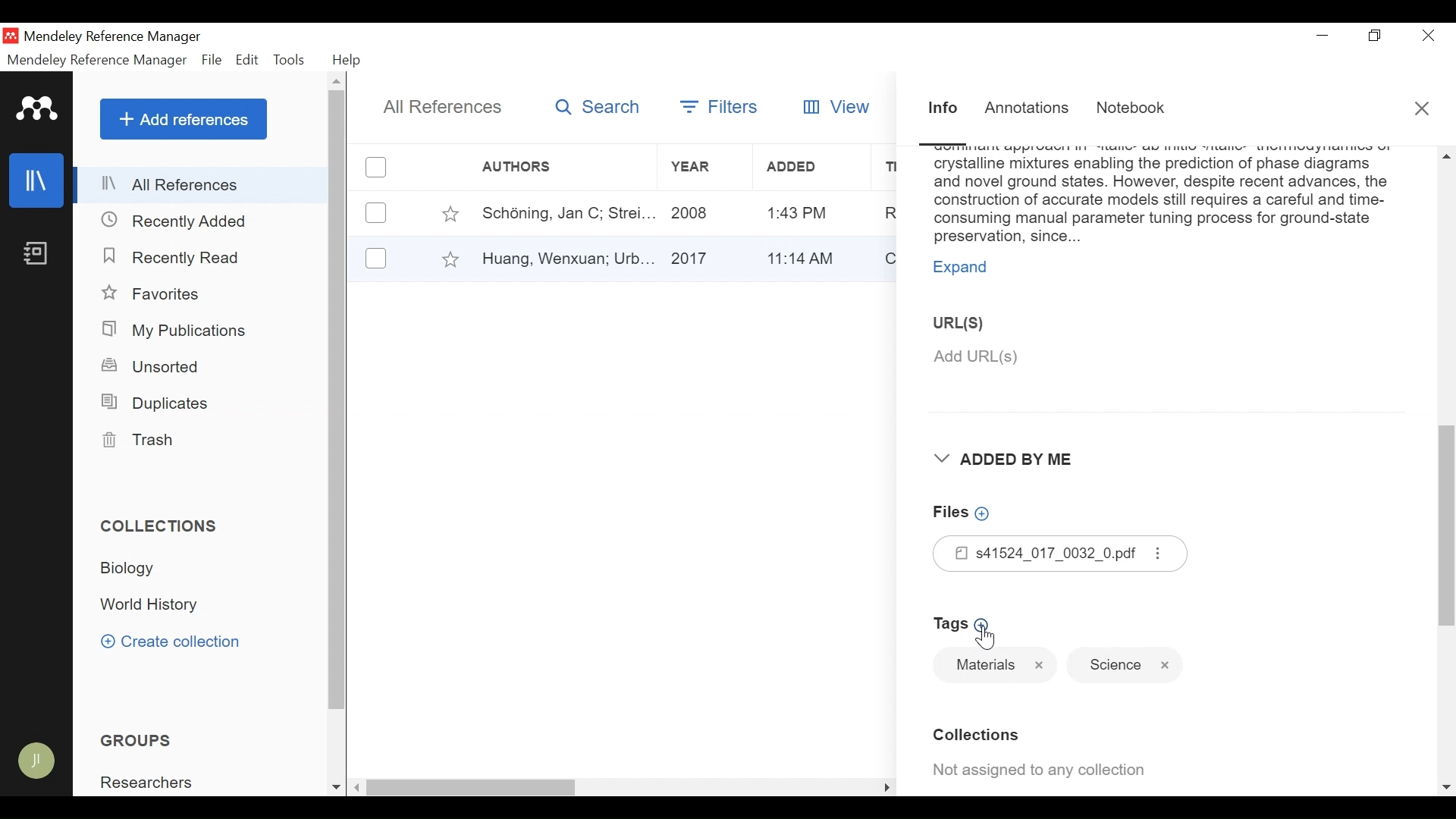 This screenshot has width=1456, height=819. Describe the element at coordinates (1447, 519) in the screenshot. I see `Vertical Scroll bar` at that location.